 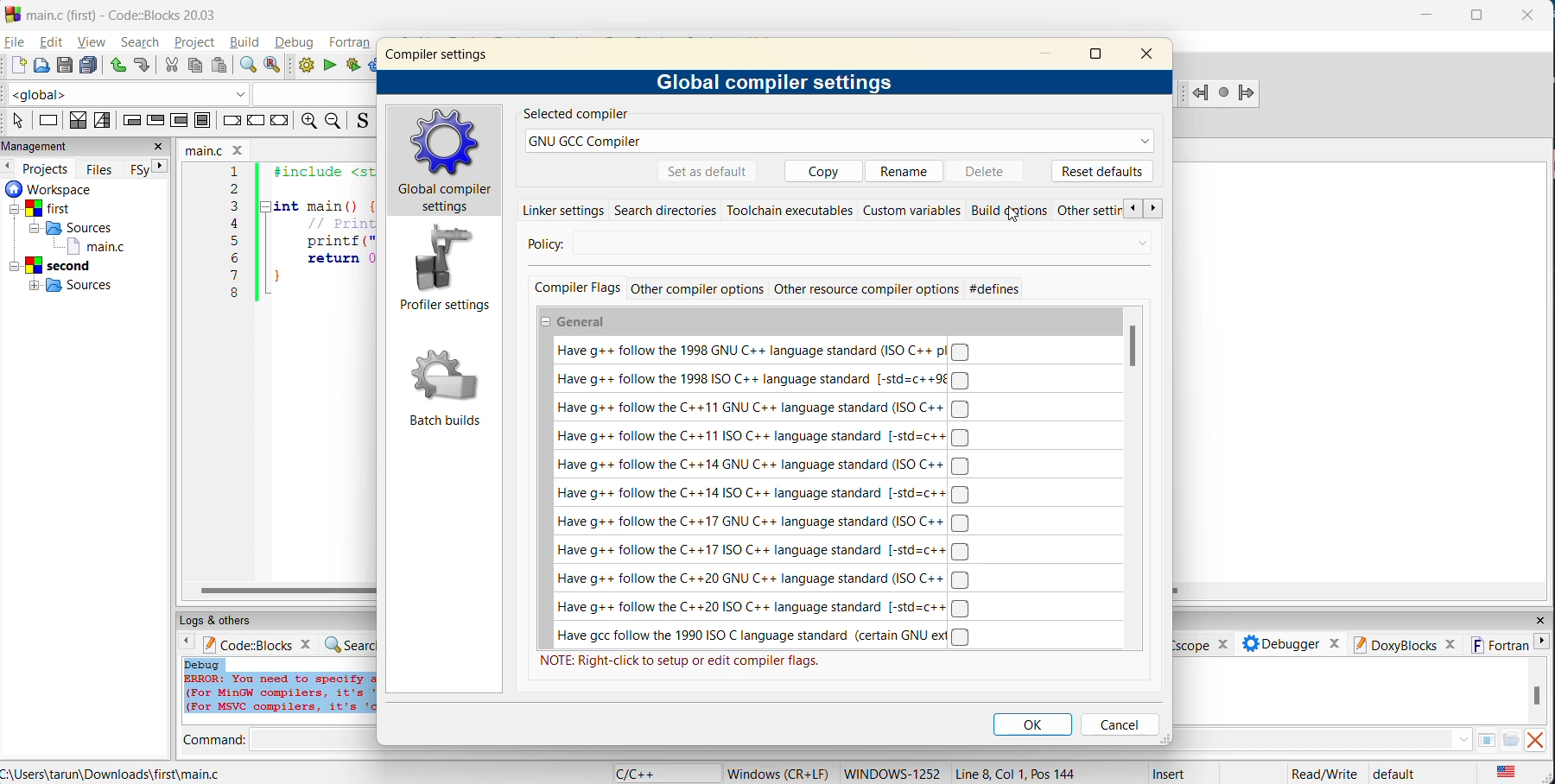 I want to click on close, so click(x=1154, y=54).